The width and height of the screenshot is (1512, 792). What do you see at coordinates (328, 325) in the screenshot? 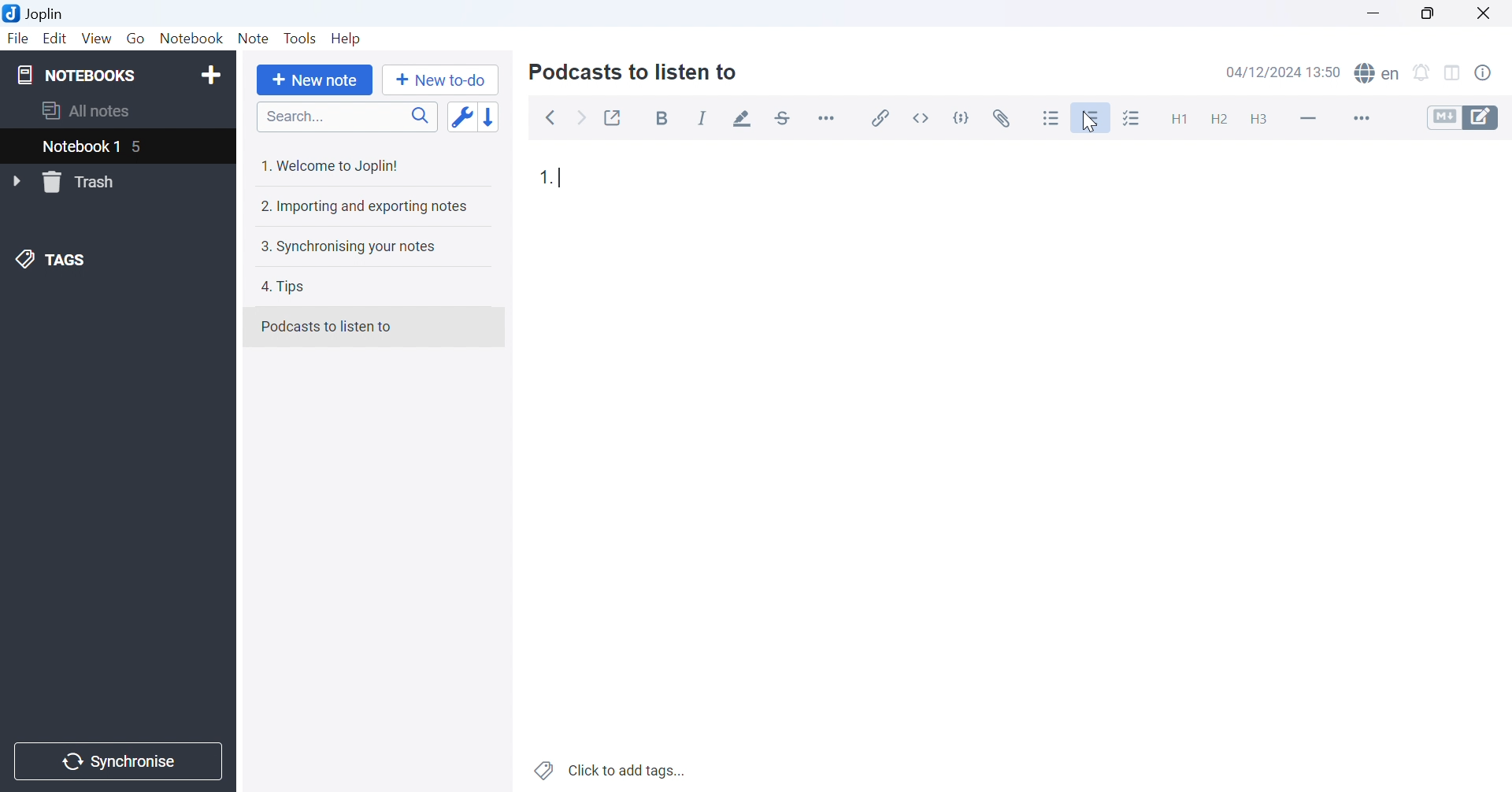
I see `Podcasts to listen to` at bounding box center [328, 325].